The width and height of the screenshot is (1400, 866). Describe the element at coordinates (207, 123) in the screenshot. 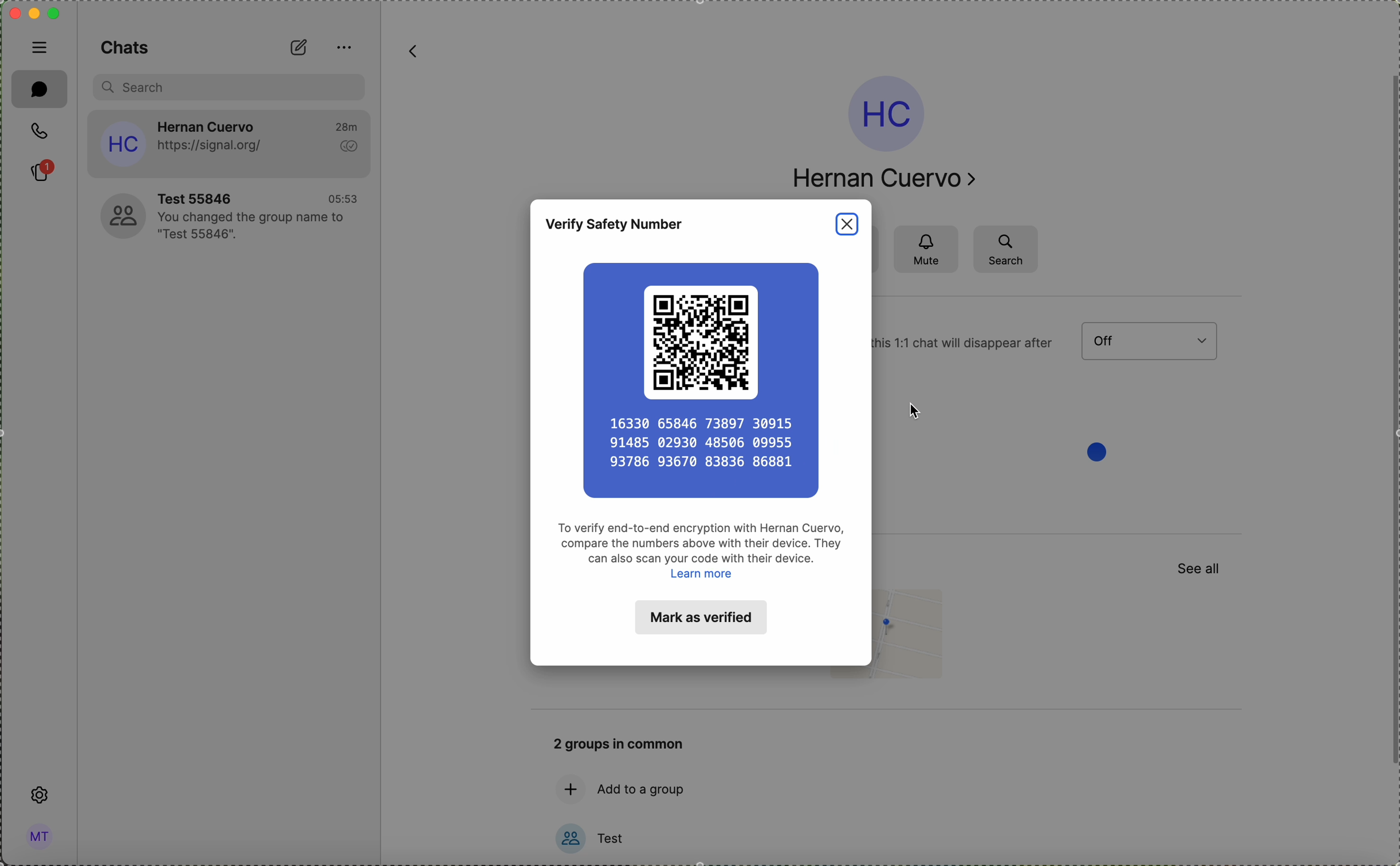

I see `Hernan Cuervo ` at that location.